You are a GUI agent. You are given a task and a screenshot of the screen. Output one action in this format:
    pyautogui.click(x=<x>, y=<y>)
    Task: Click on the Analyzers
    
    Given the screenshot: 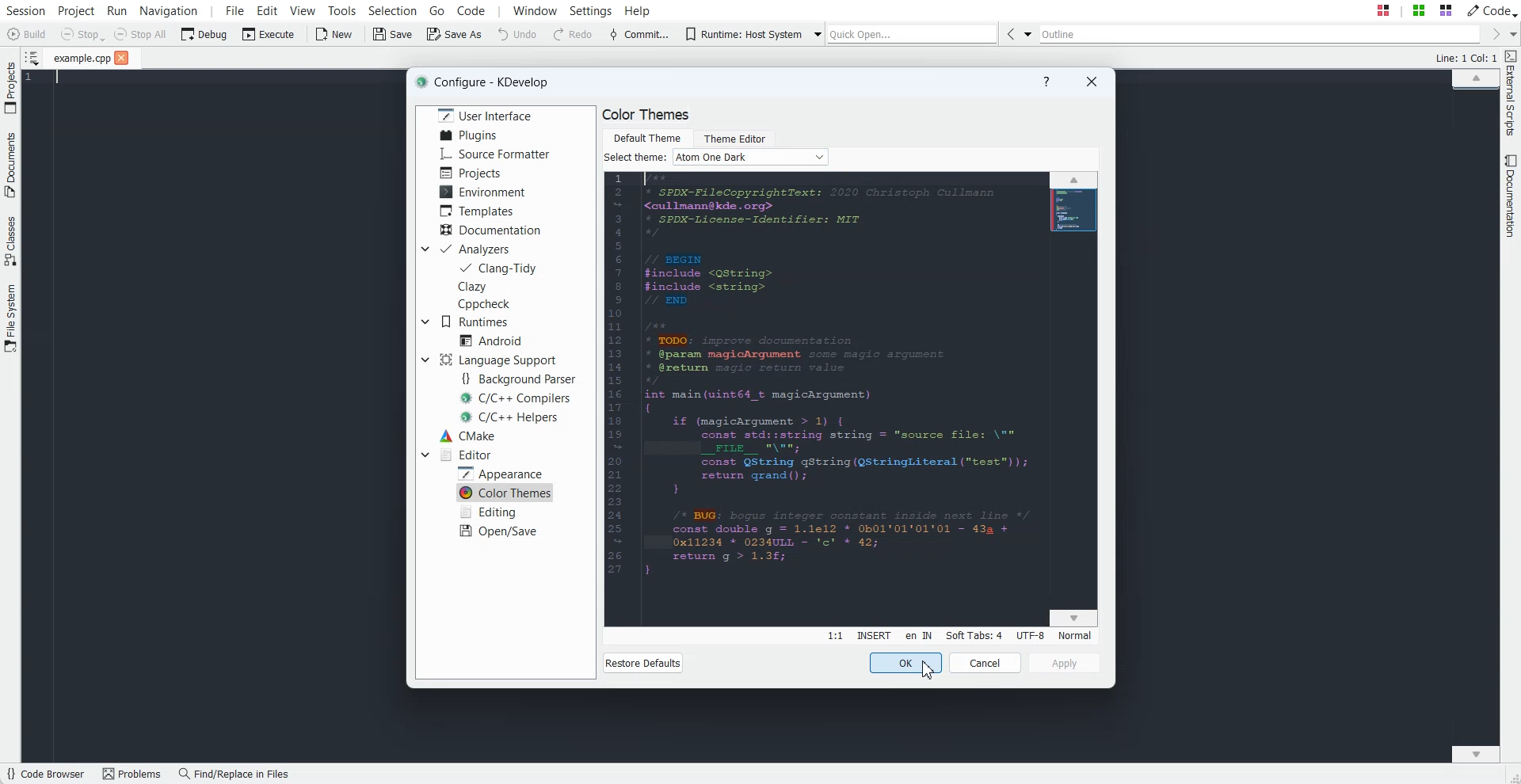 What is the action you would take?
    pyautogui.click(x=478, y=249)
    